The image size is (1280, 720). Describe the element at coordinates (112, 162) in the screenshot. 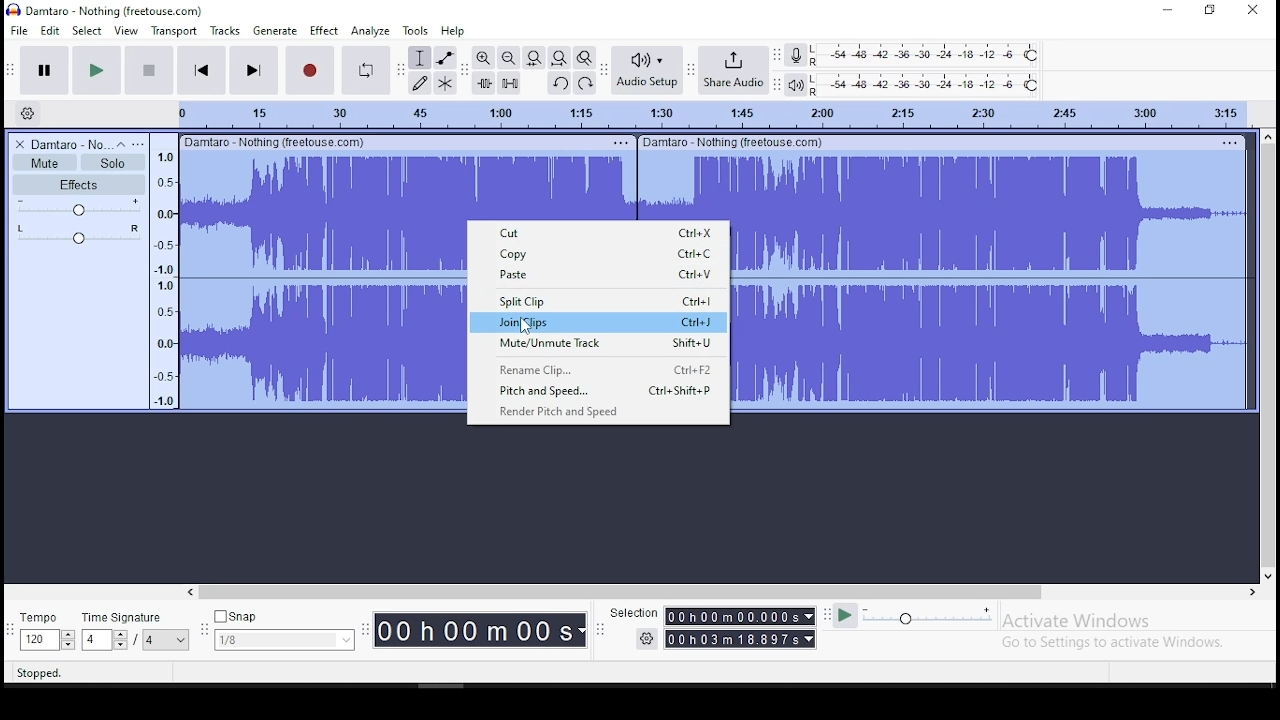

I see `solo` at that location.